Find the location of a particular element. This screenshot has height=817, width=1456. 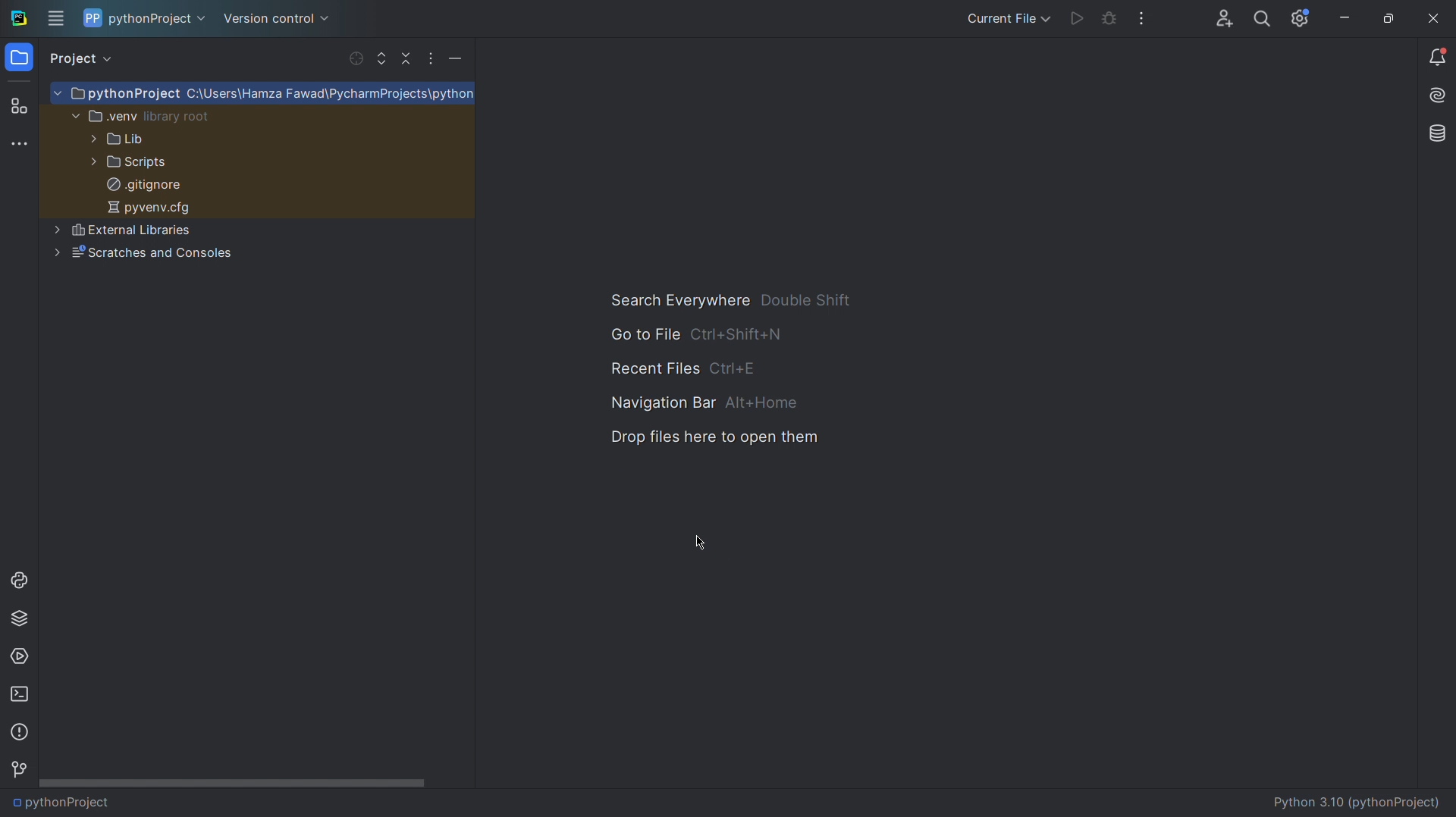

pythonProject is located at coordinates (266, 95).